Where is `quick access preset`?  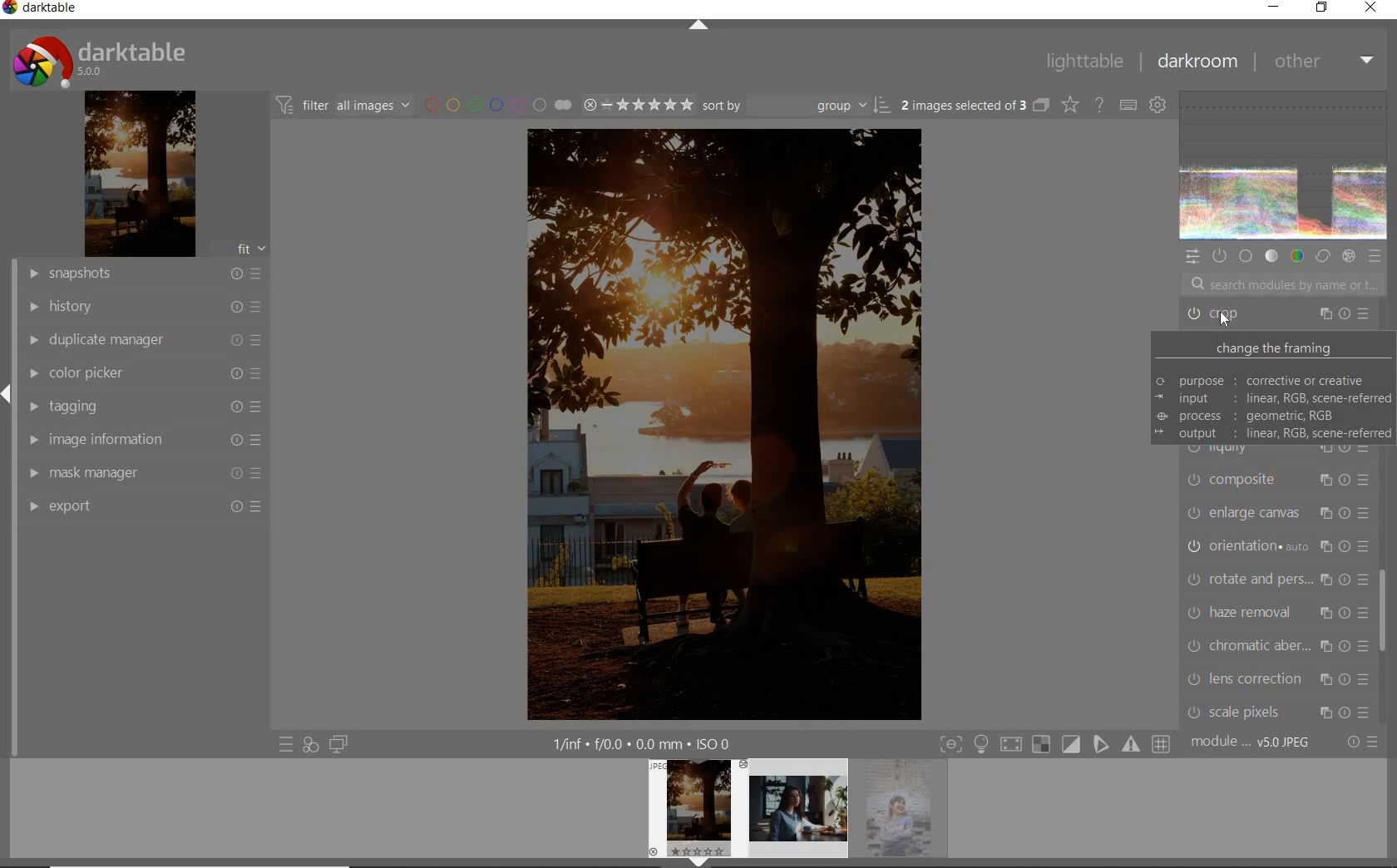 quick access preset is located at coordinates (286, 746).